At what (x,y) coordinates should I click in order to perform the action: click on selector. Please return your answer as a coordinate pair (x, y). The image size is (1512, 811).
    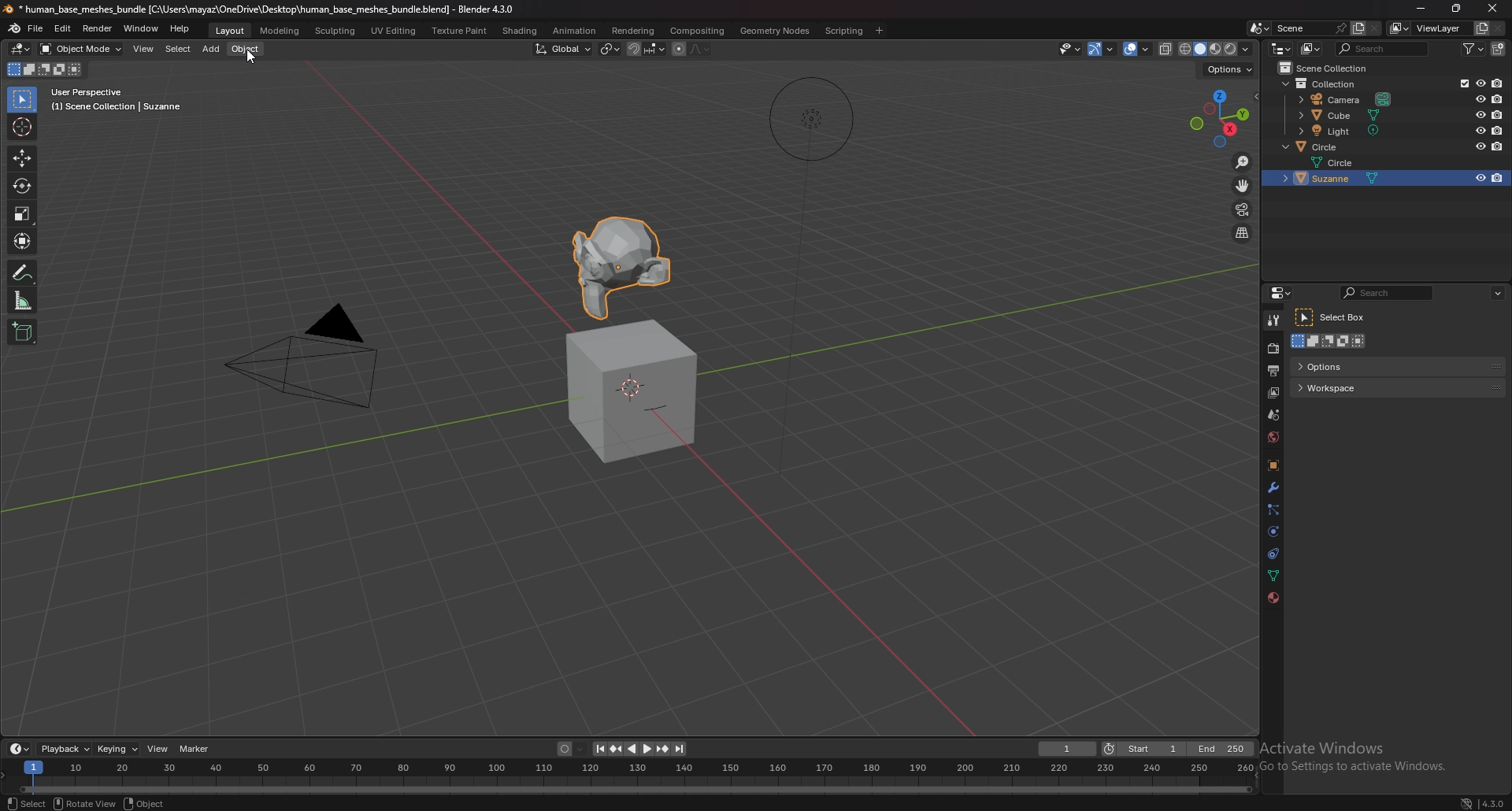
    Looking at the image, I should click on (23, 99).